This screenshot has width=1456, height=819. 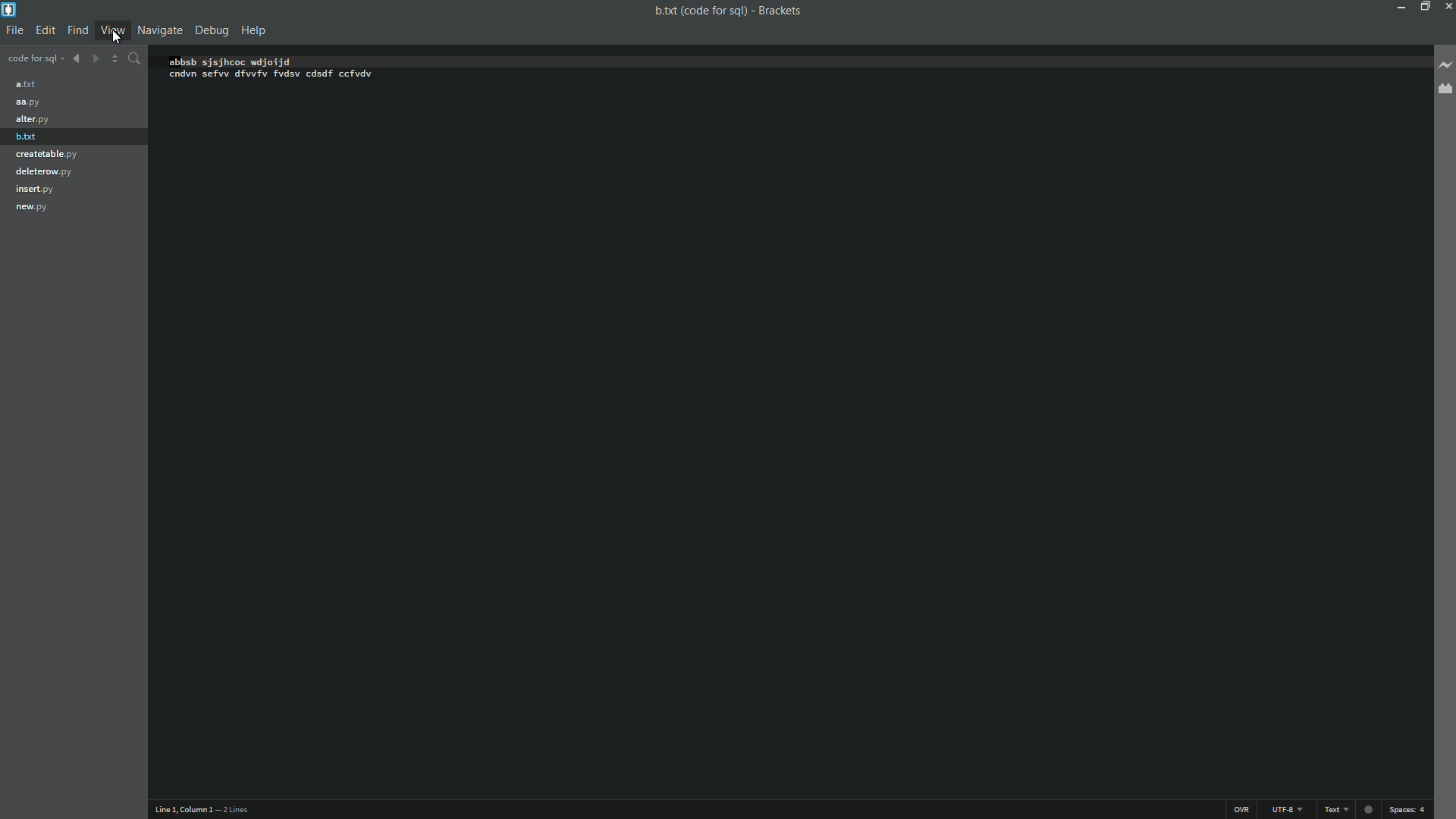 I want to click on Cursor, so click(x=115, y=37).